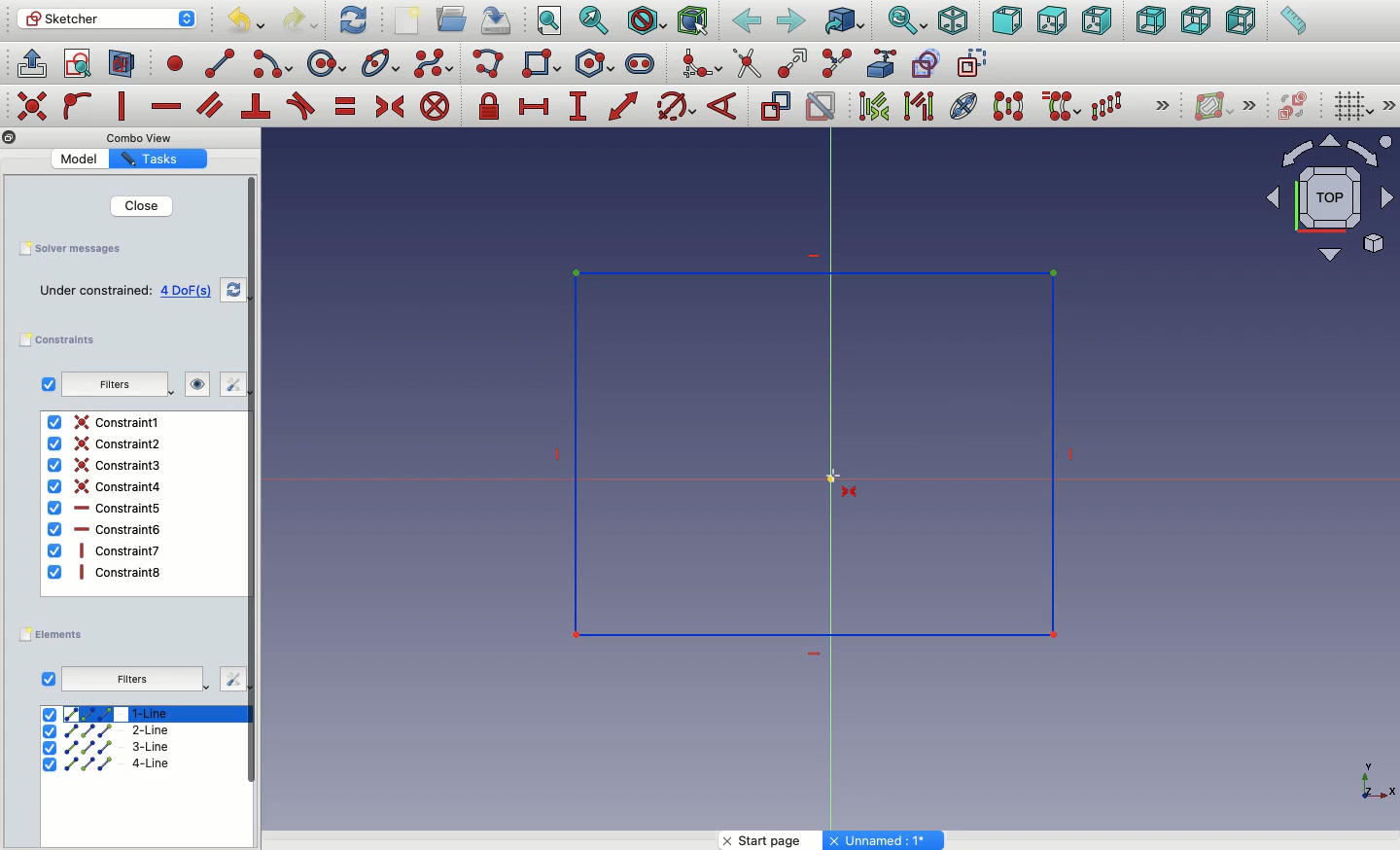 This screenshot has height=850, width=1400. What do you see at coordinates (168, 101) in the screenshot?
I see `constrain horizontally` at bounding box center [168, 101].